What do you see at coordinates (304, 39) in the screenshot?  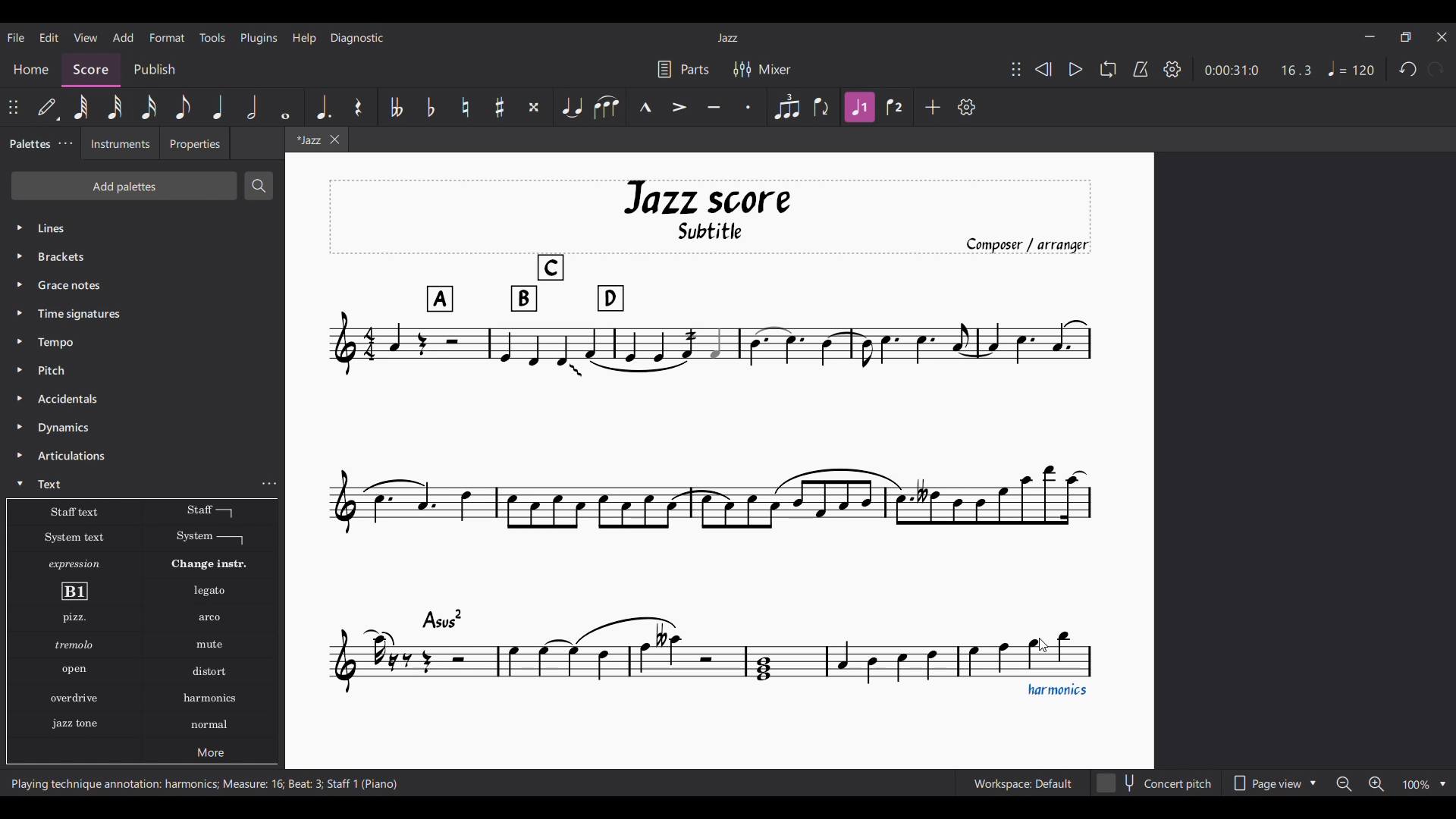 I see `Help menu` at bounding box center [304, 39].